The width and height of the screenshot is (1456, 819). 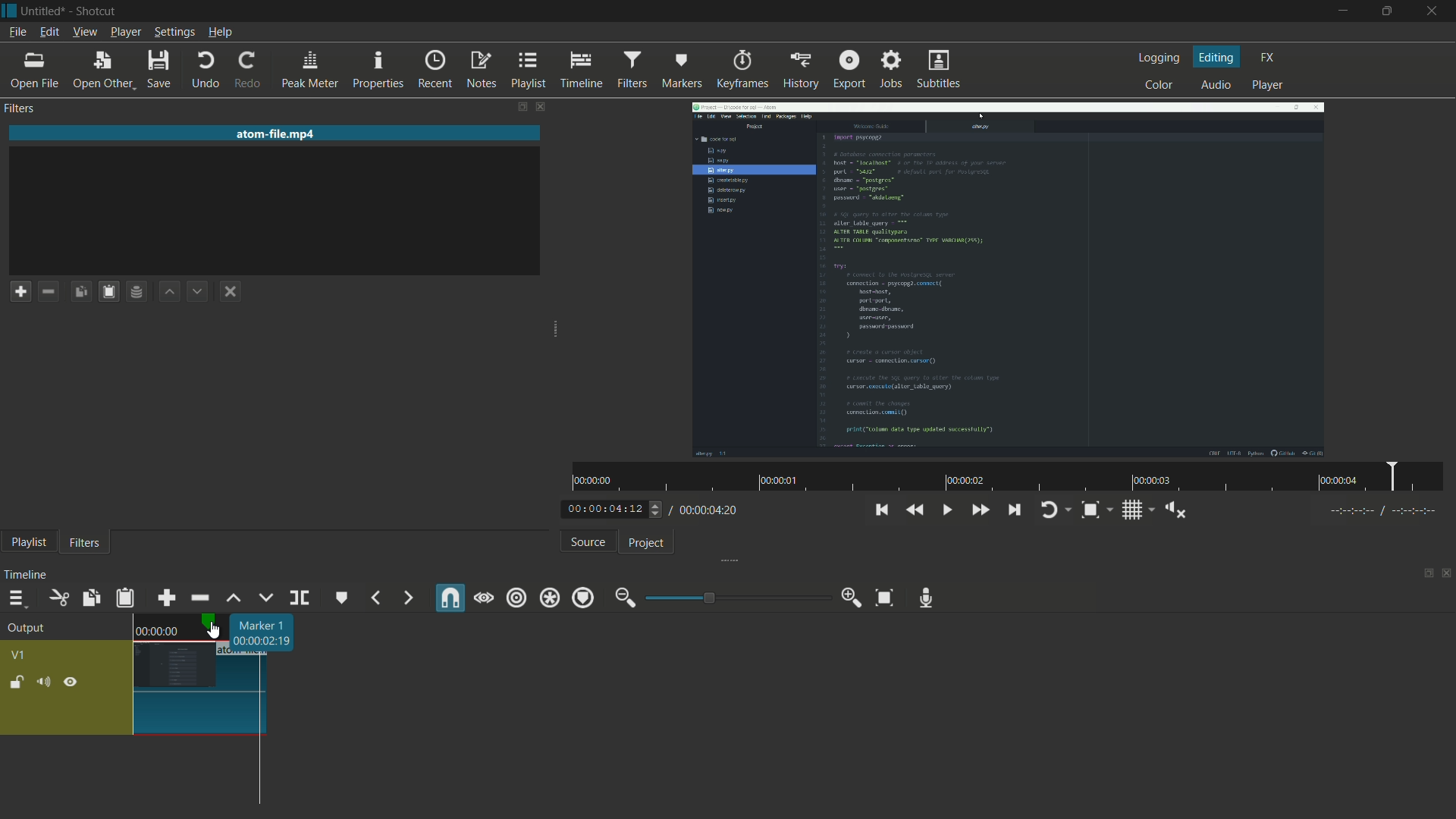 What do you see at coordinates (177, 32) in the screenshot?
I see `settings menu` at bounding box center [177, 32].